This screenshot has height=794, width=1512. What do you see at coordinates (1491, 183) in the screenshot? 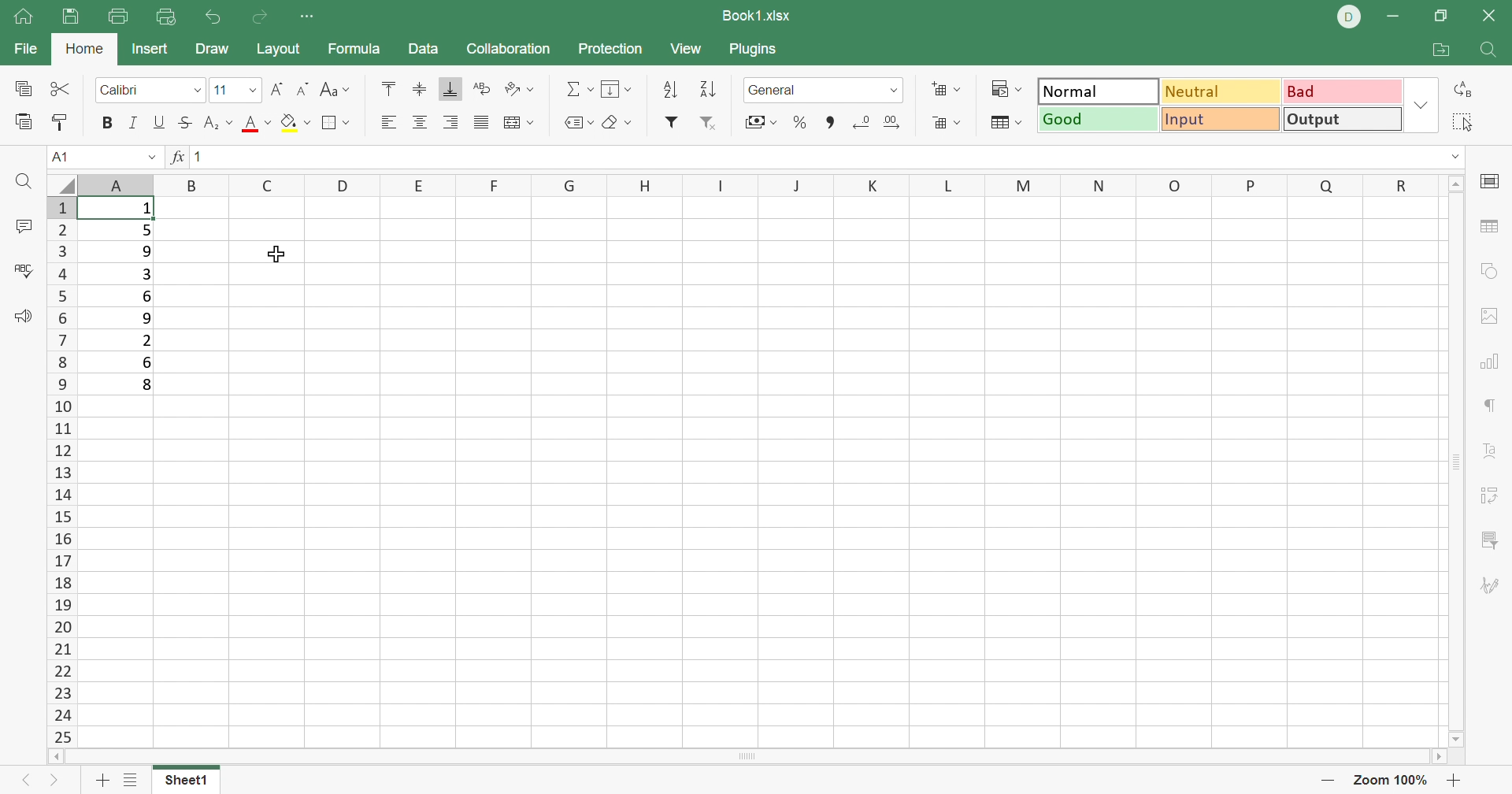
I see `cell settings` at bounding box center [1491, 183].